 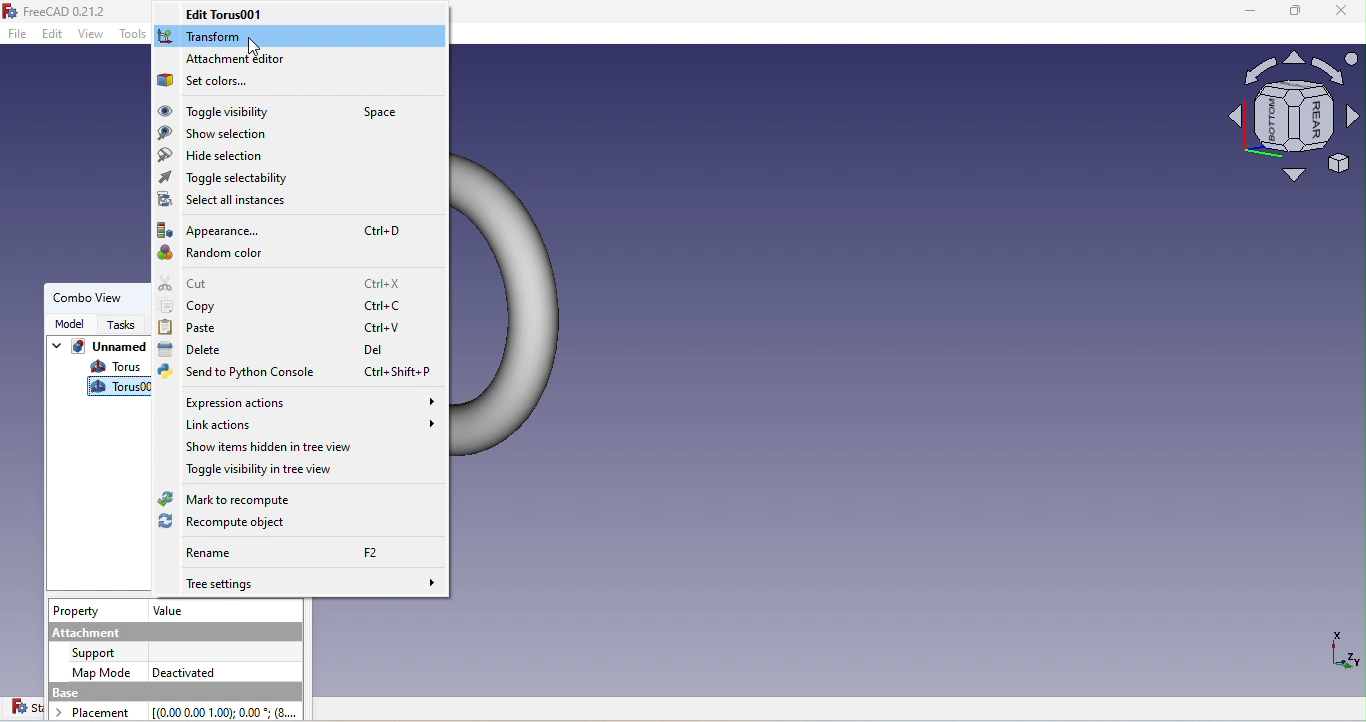 I want to click on Navigation square, so click(x=1294, y=122).